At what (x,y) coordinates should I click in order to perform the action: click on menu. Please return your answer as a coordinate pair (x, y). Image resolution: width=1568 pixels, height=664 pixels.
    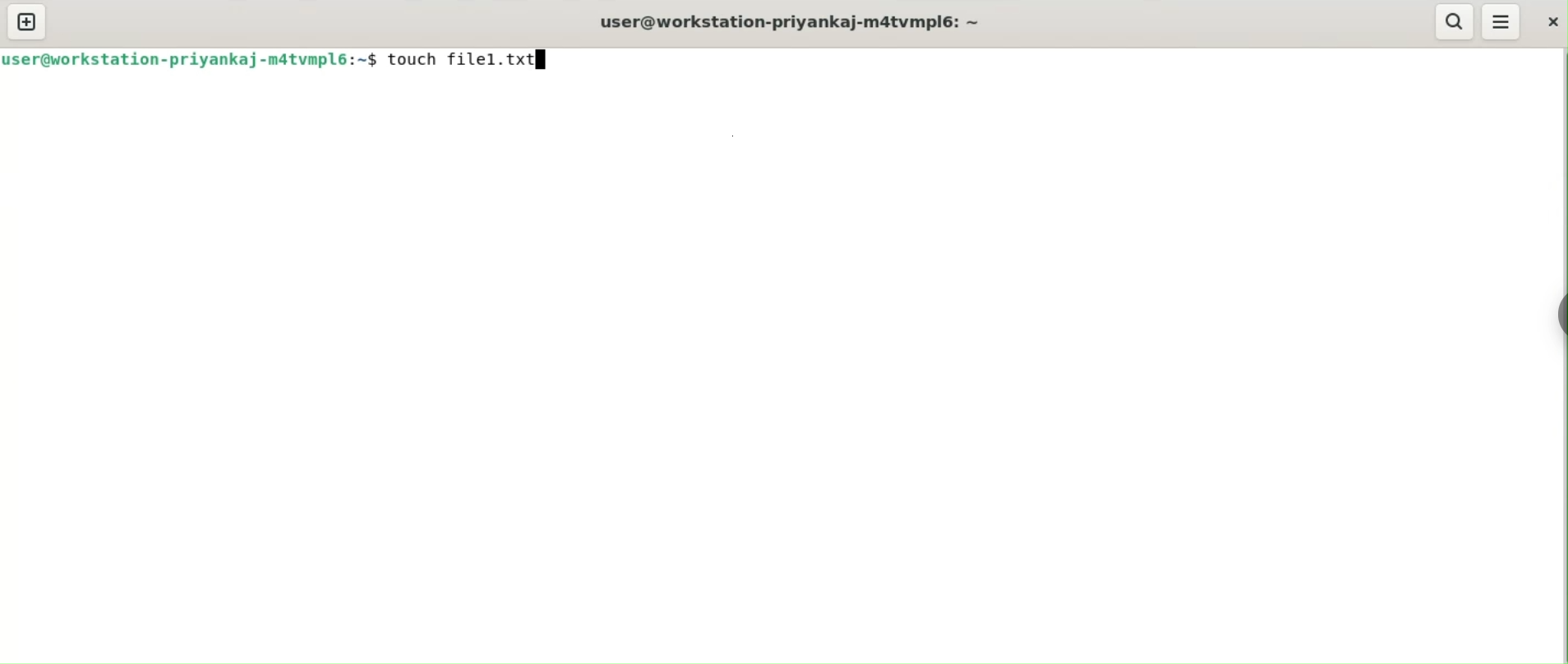
    Looking at the image, I should click on (1501, 21).